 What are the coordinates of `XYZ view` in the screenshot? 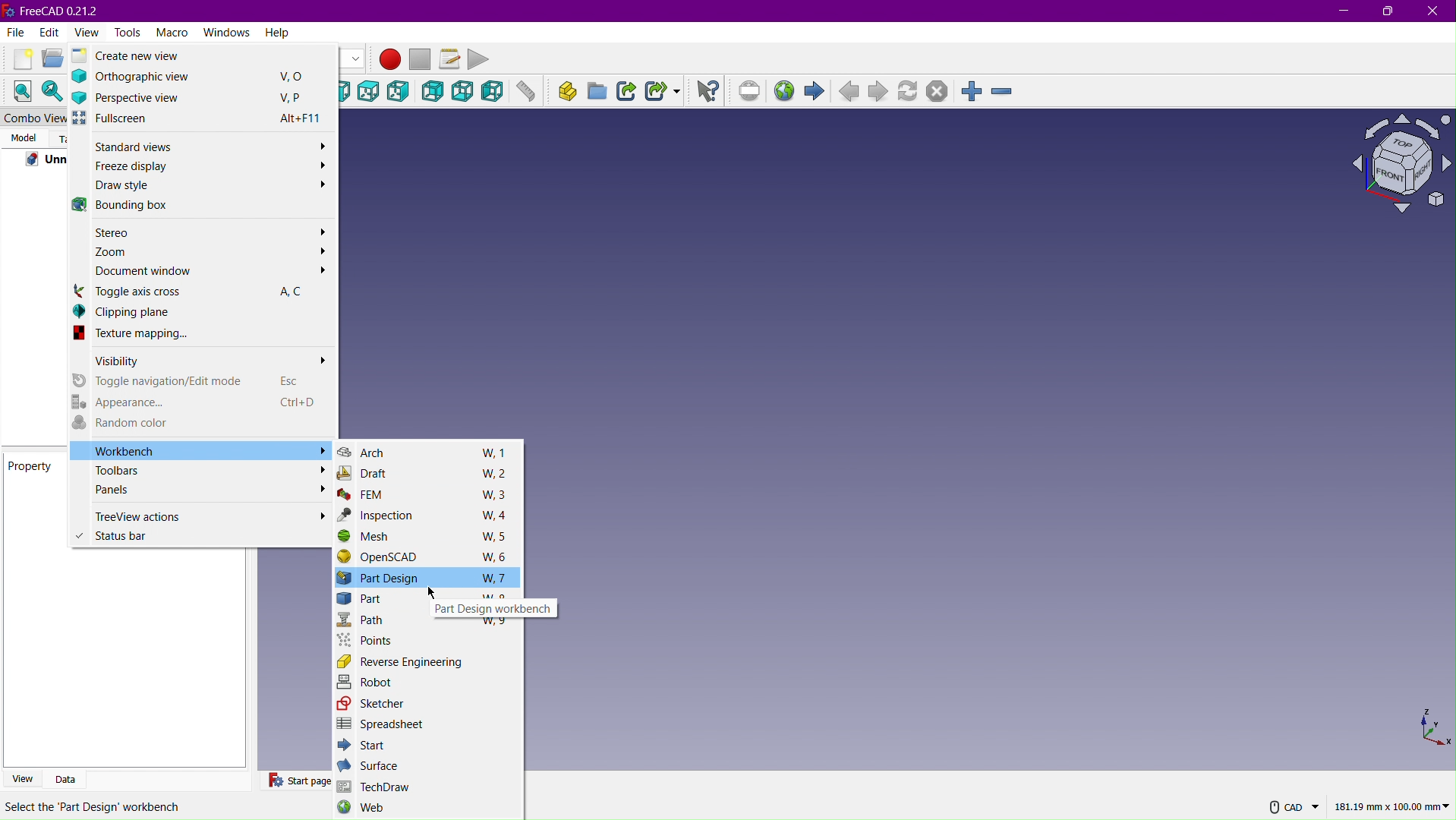 It's located at (1429, 727).